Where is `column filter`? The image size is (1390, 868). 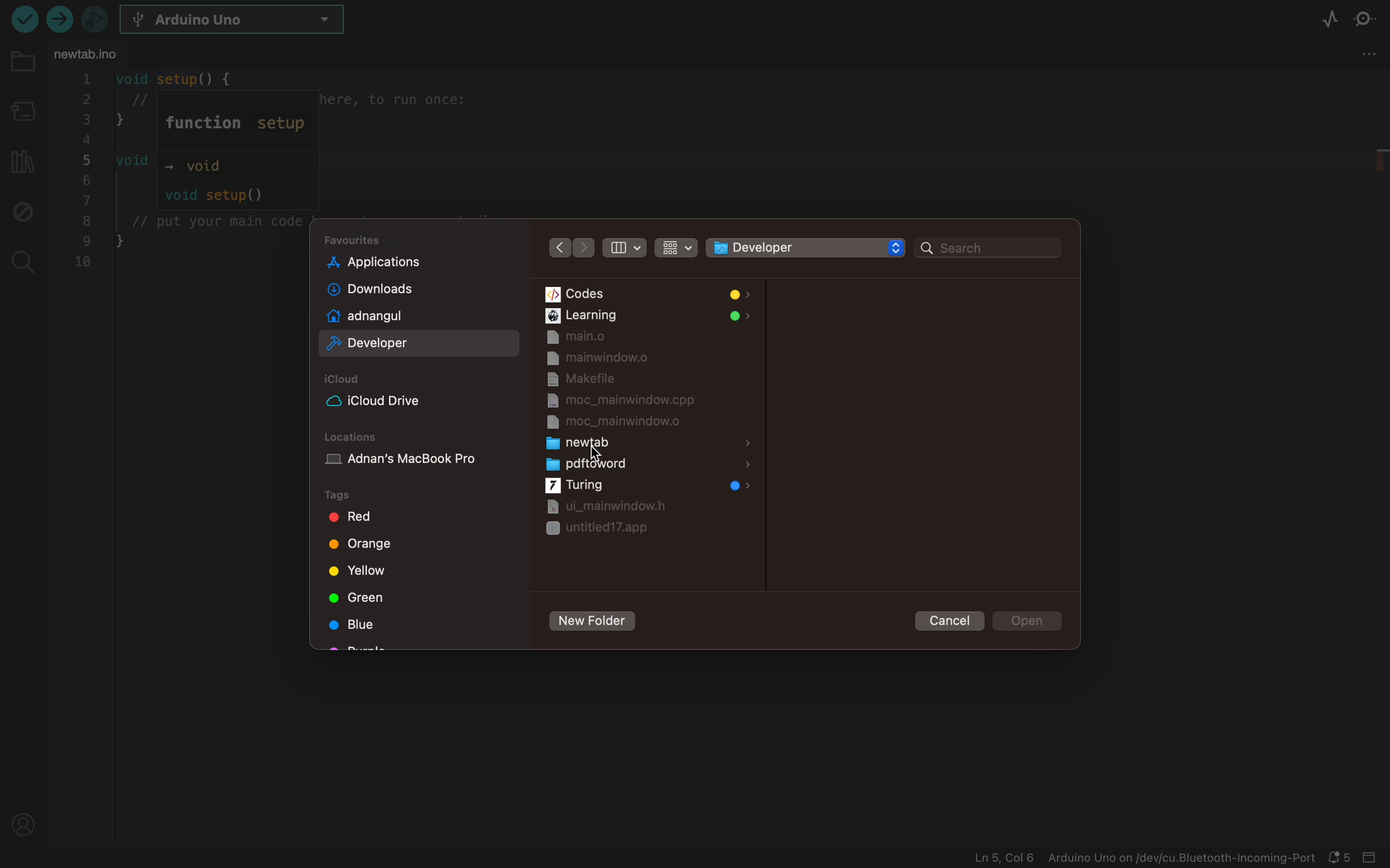 column filter is located at coordinates (623, 249).